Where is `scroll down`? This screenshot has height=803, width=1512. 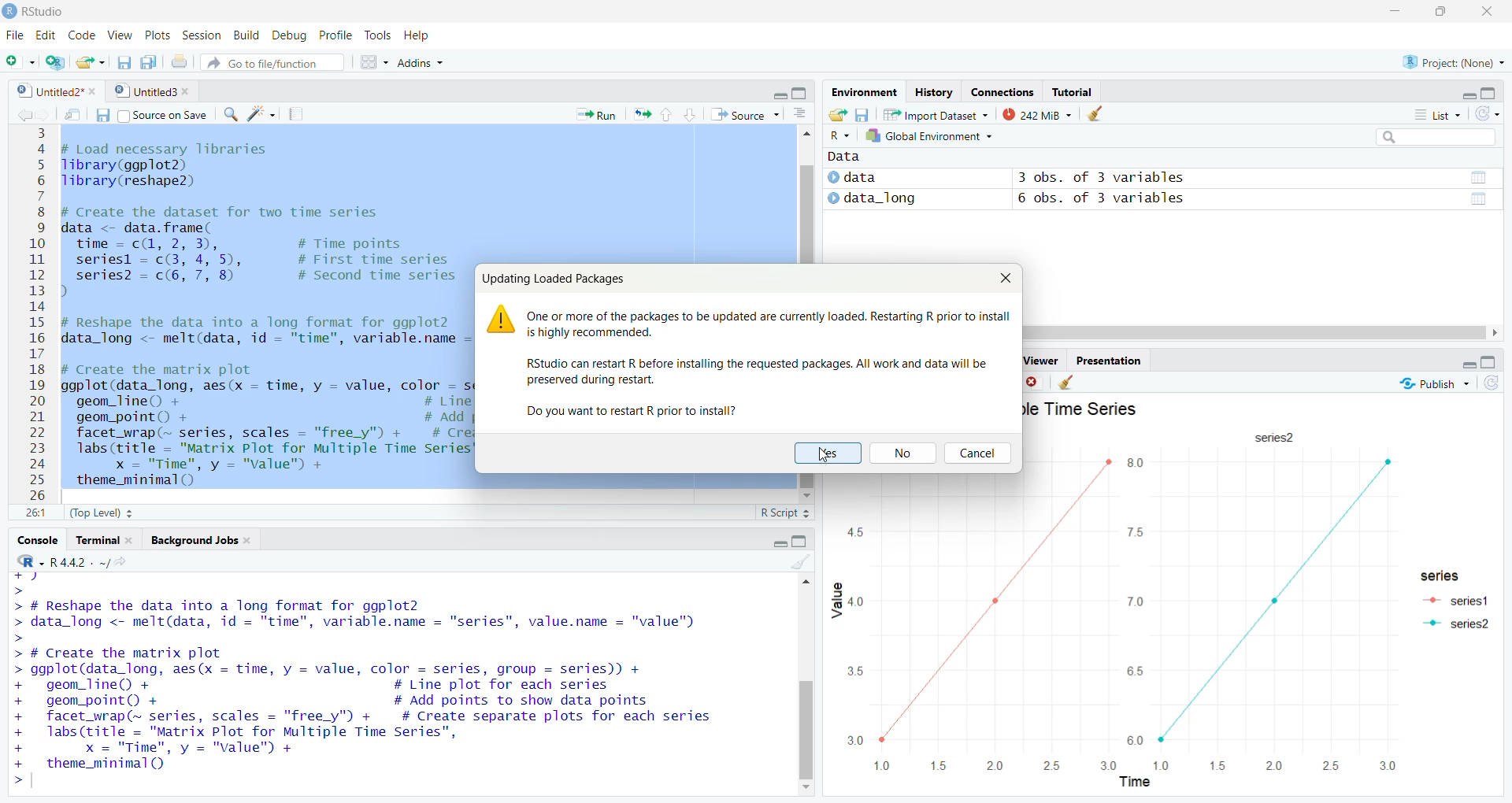 scroll down is located at coordinates (806, 497).